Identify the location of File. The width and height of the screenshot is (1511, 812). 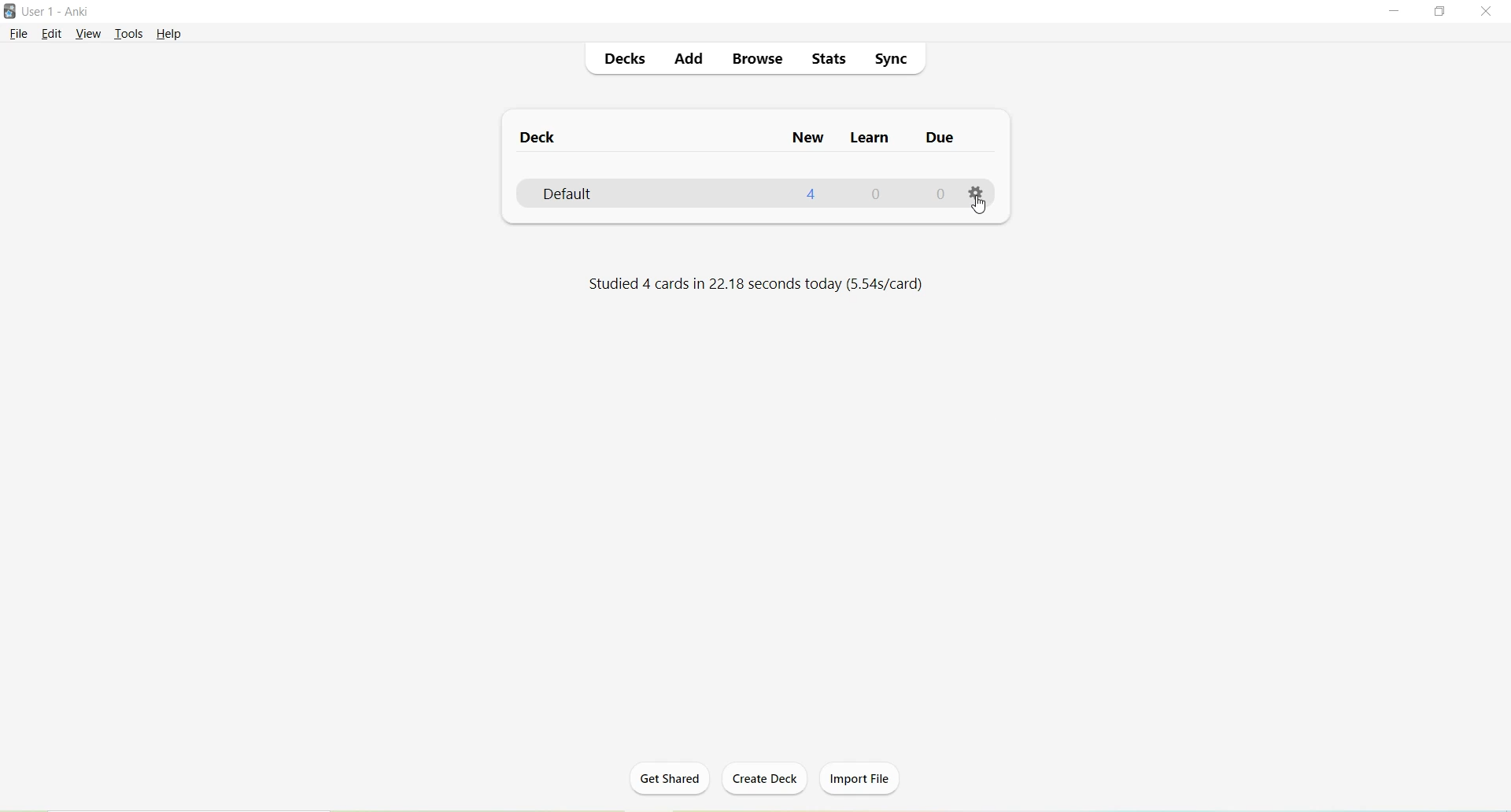
(17, 35).